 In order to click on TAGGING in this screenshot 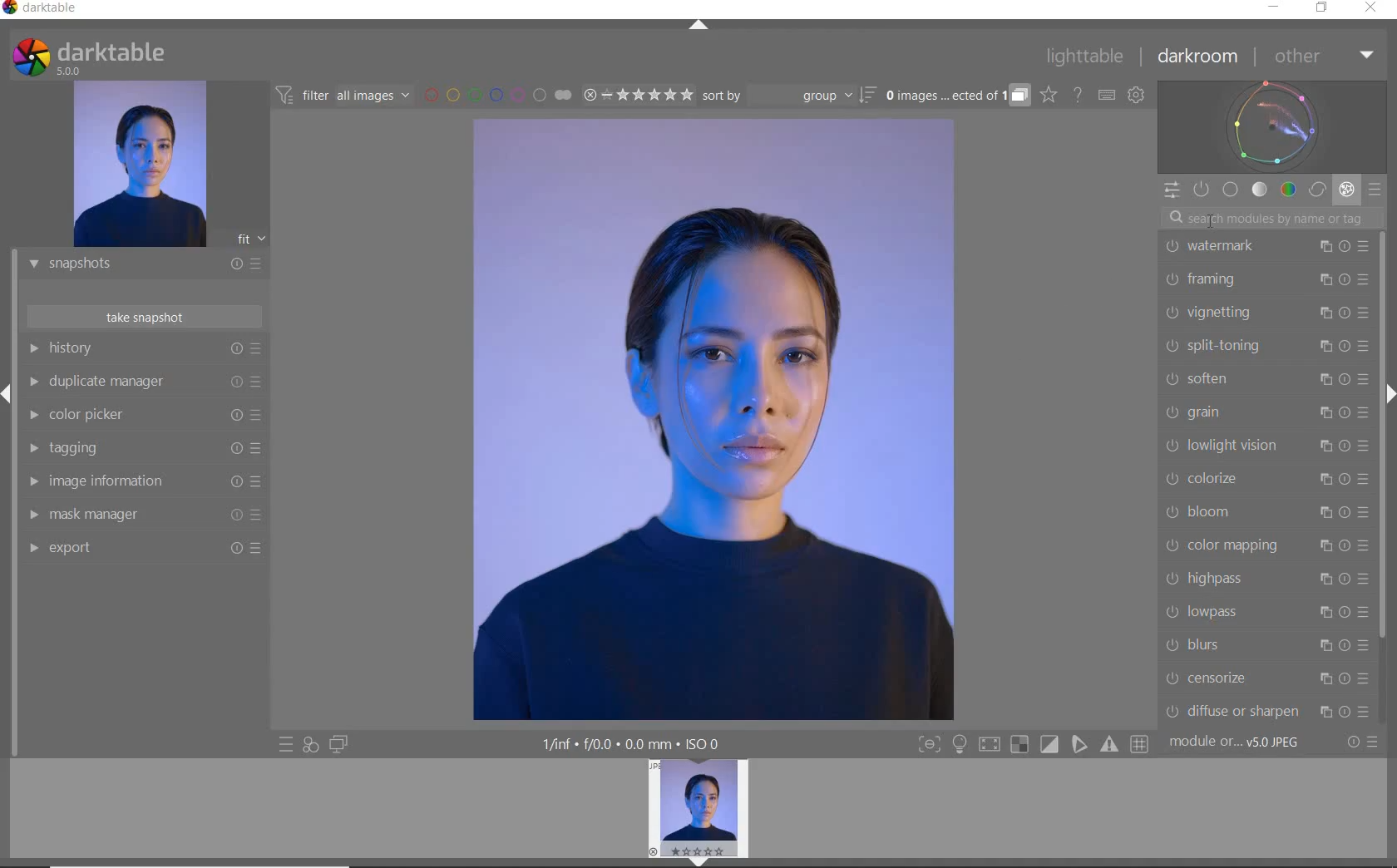, I will do `click(141, 449)`.